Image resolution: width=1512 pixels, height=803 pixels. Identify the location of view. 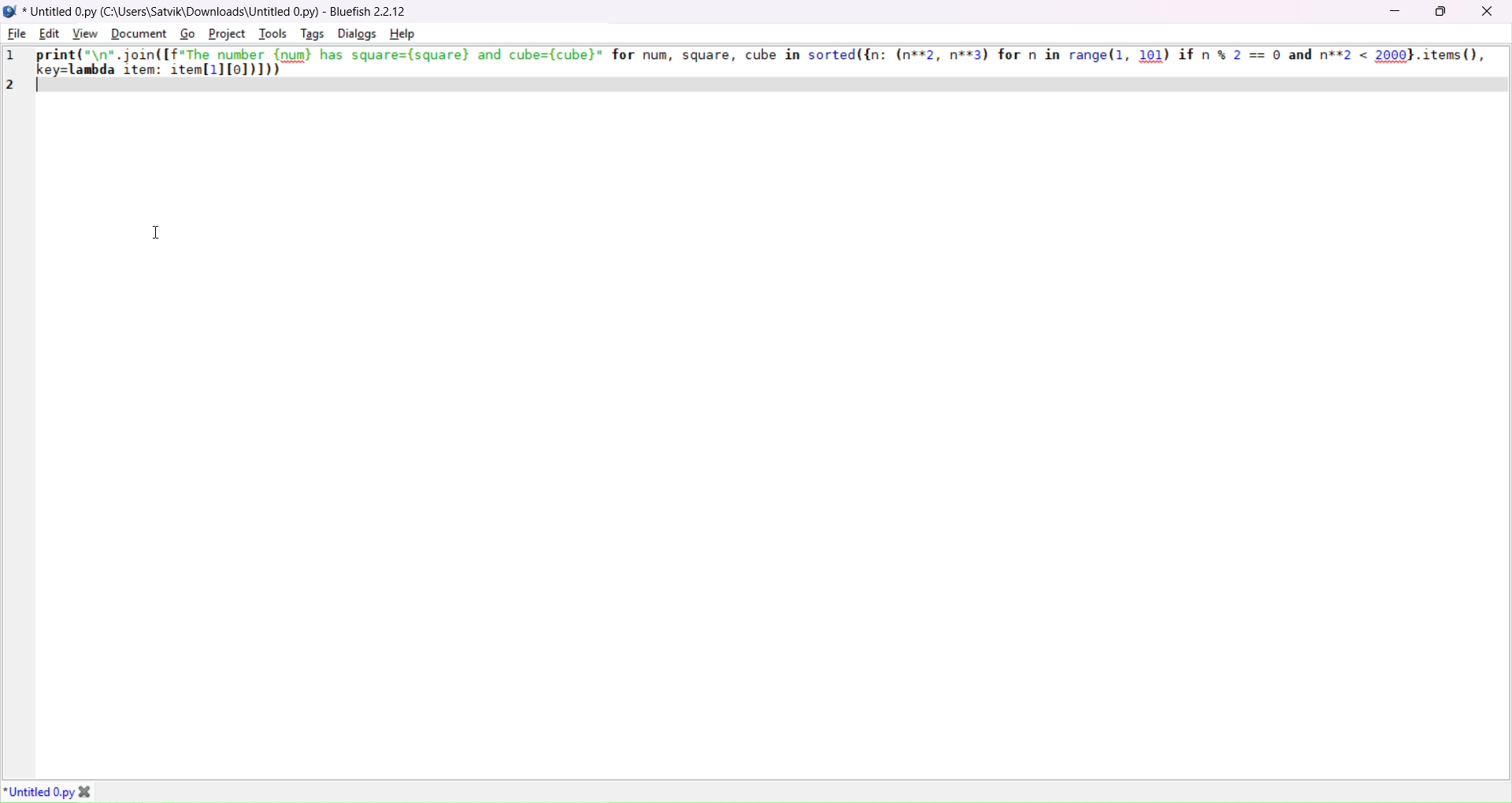
(83, 33).